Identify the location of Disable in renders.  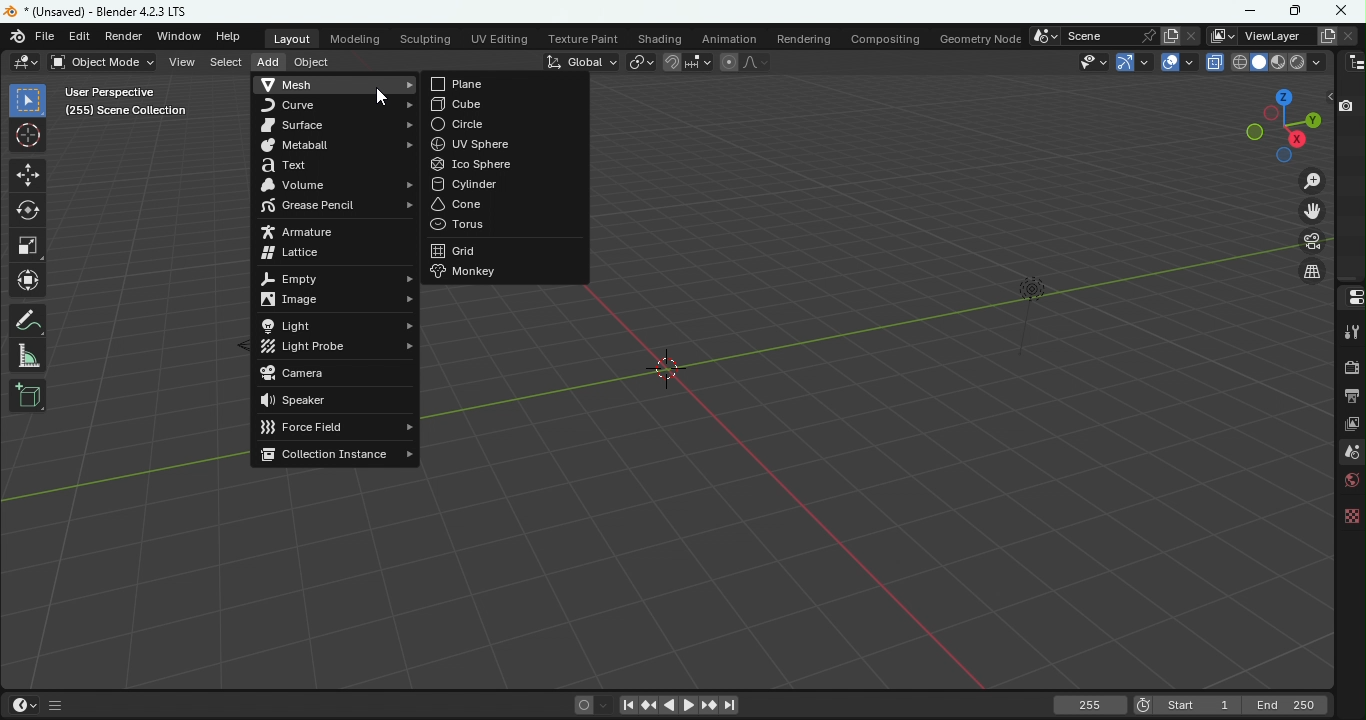
(1349, 106).